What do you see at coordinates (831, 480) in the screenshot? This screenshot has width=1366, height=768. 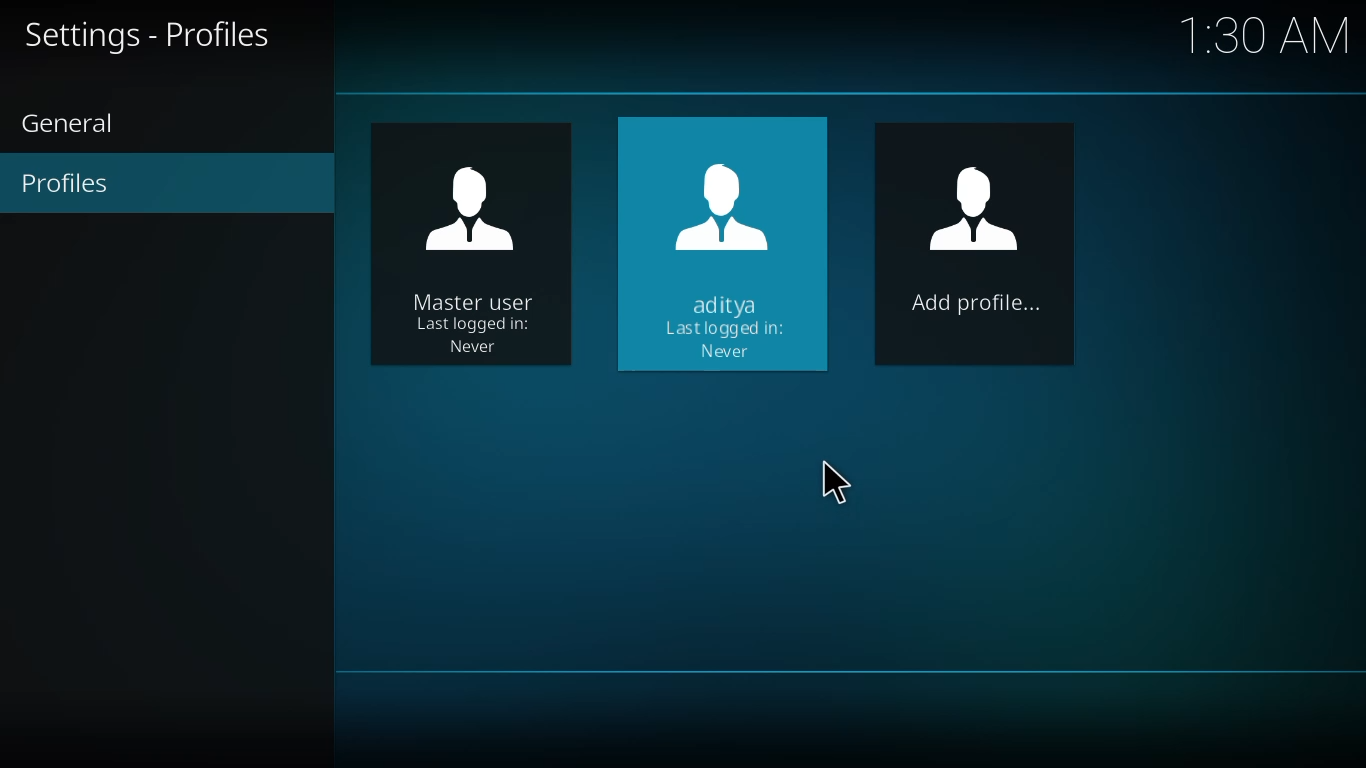 I see `cursor` at bounding box center [831, 480].